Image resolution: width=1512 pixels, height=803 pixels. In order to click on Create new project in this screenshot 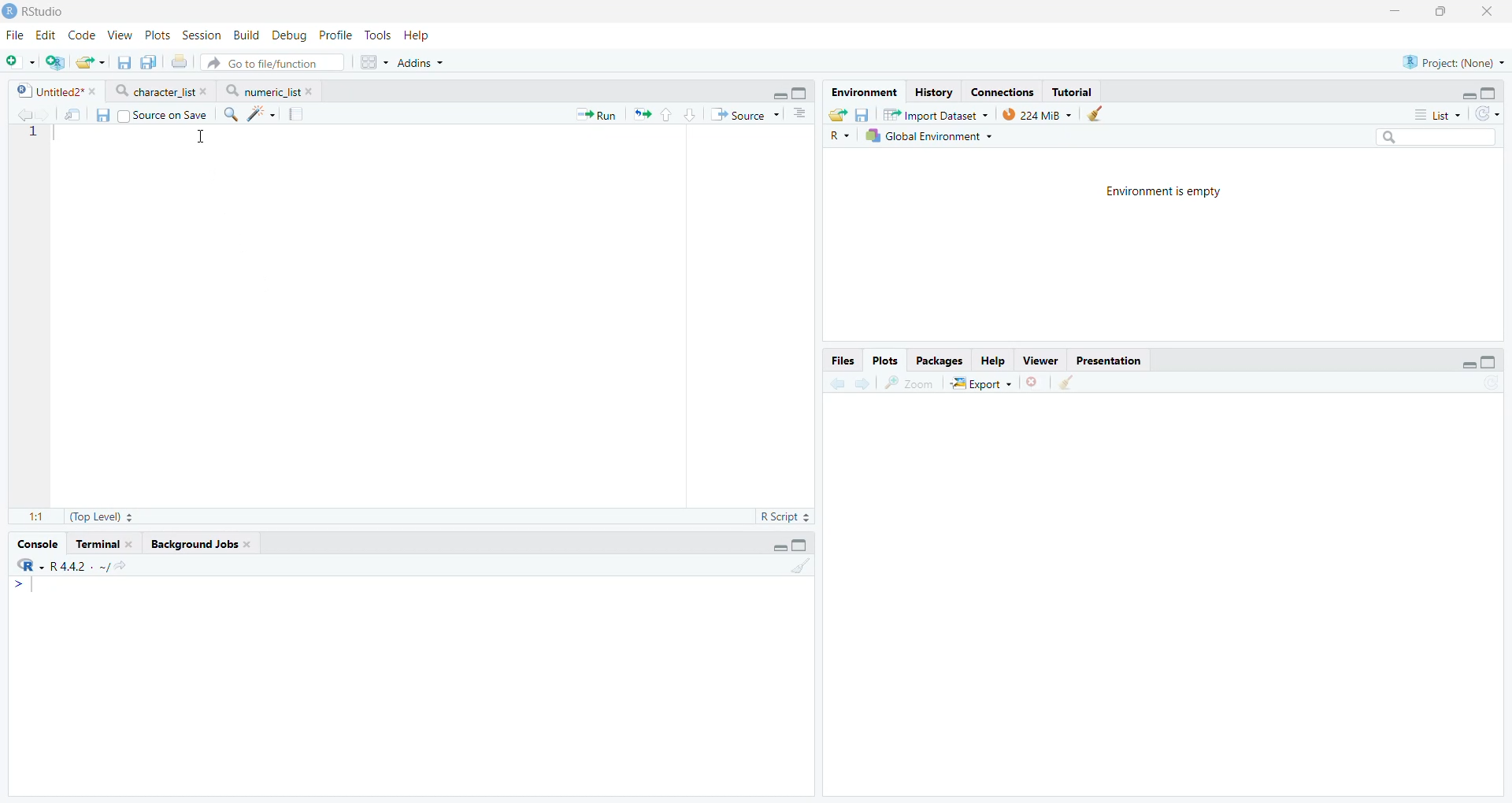, I will do `click(55, 63)`.